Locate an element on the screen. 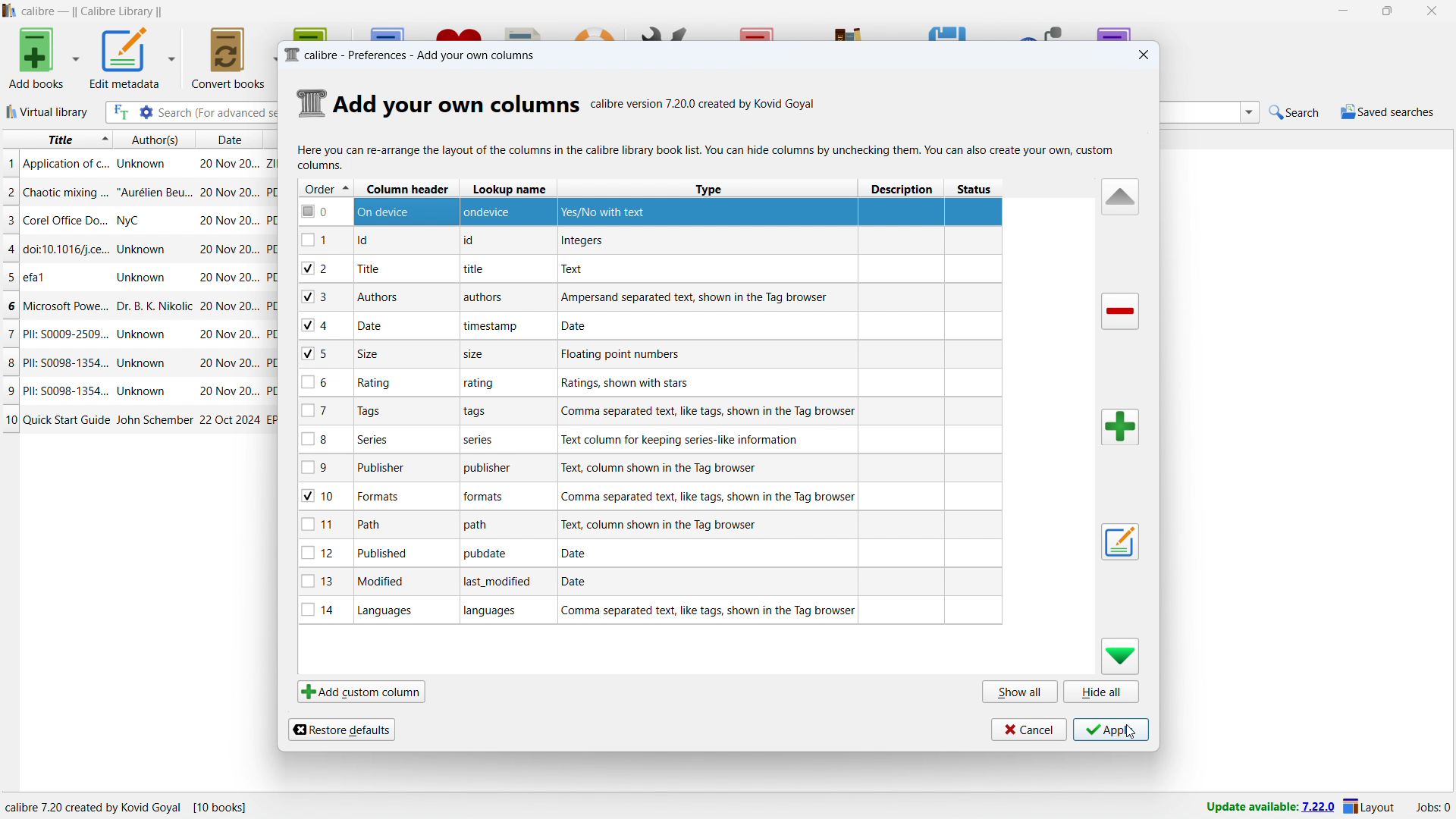  saved searches is located at coordinates (1386, 111).